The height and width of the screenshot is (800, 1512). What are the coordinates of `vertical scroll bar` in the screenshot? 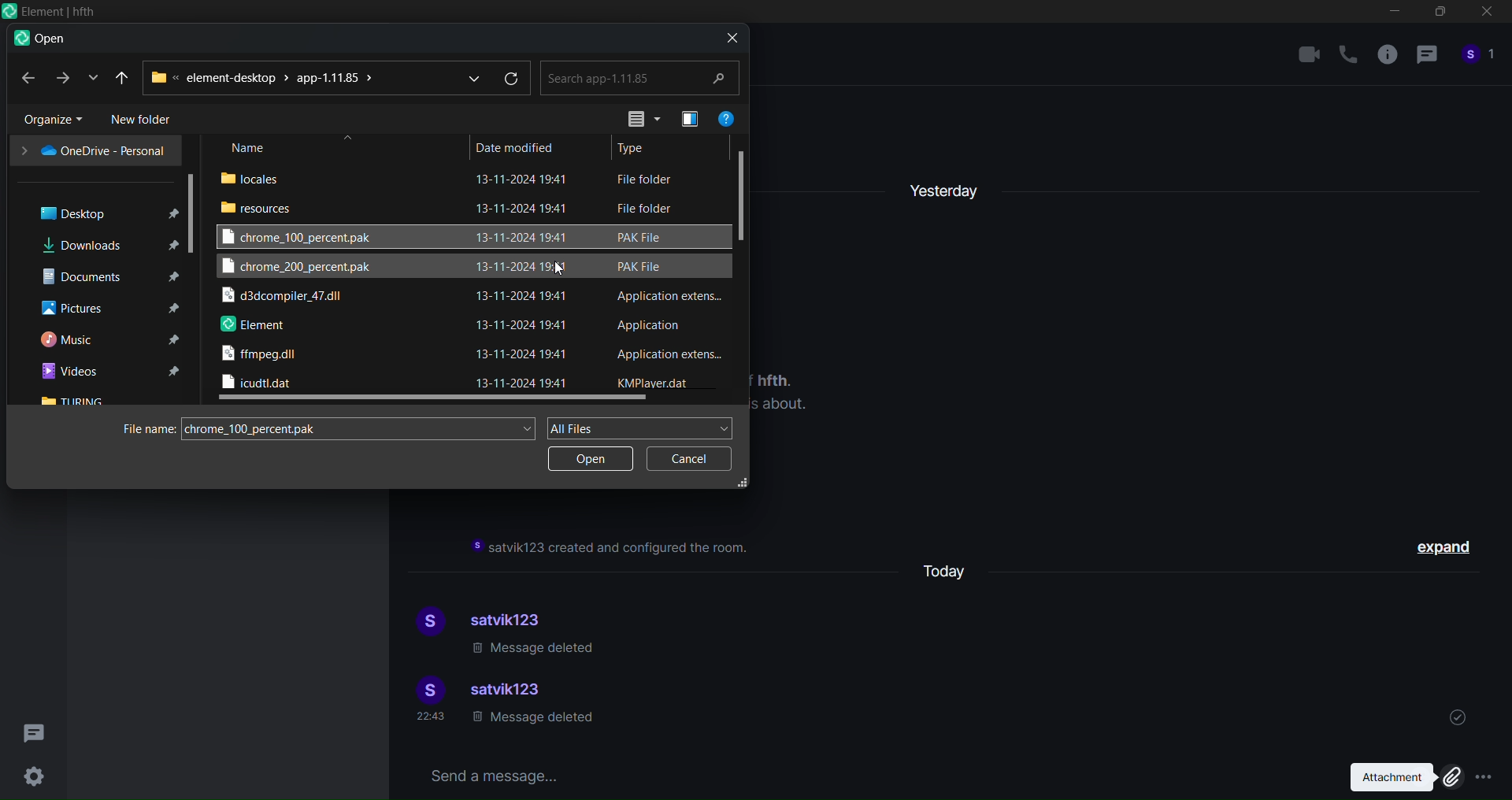 It's located at (745, 191).